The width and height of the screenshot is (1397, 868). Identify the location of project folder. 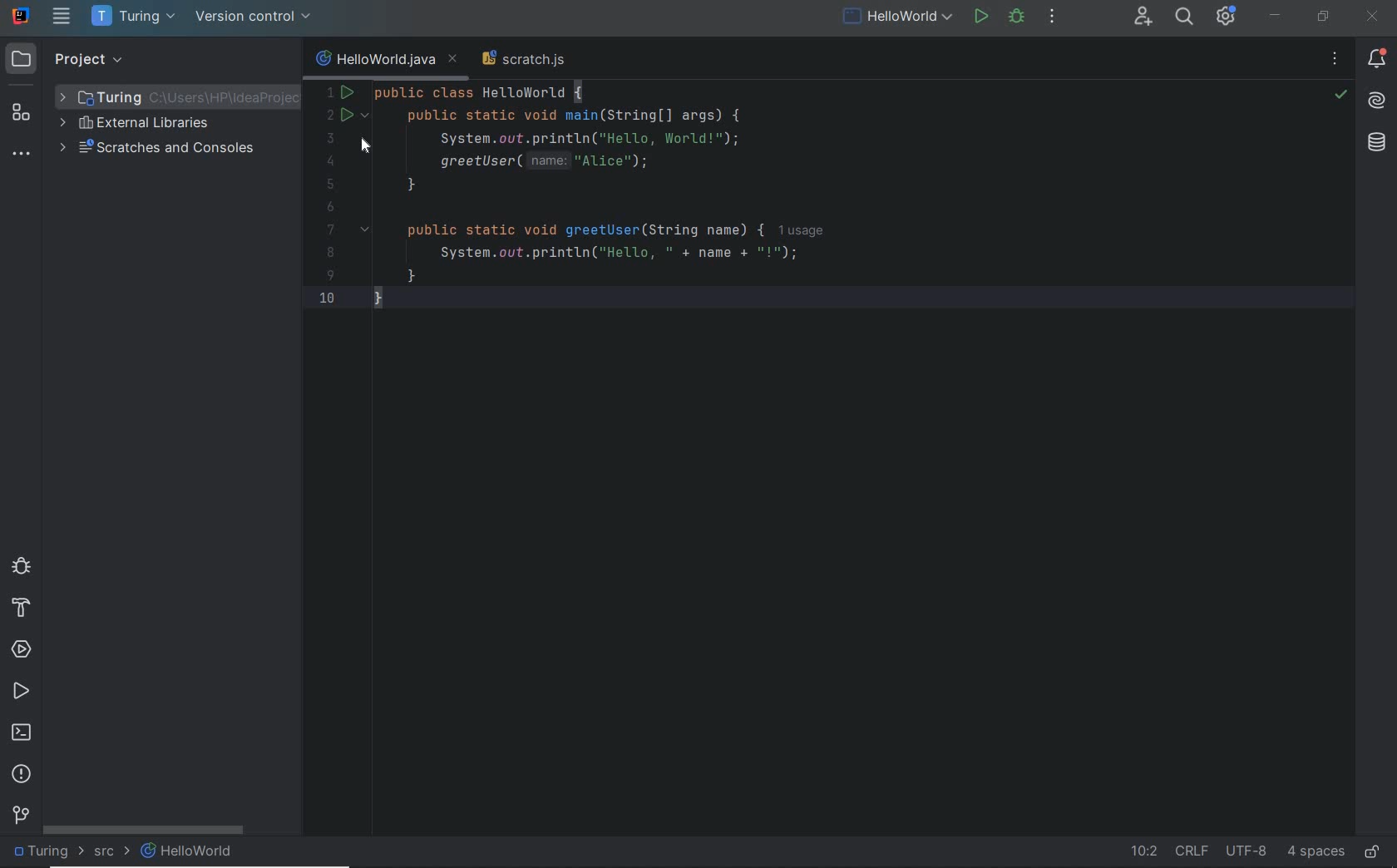
(42, 852).